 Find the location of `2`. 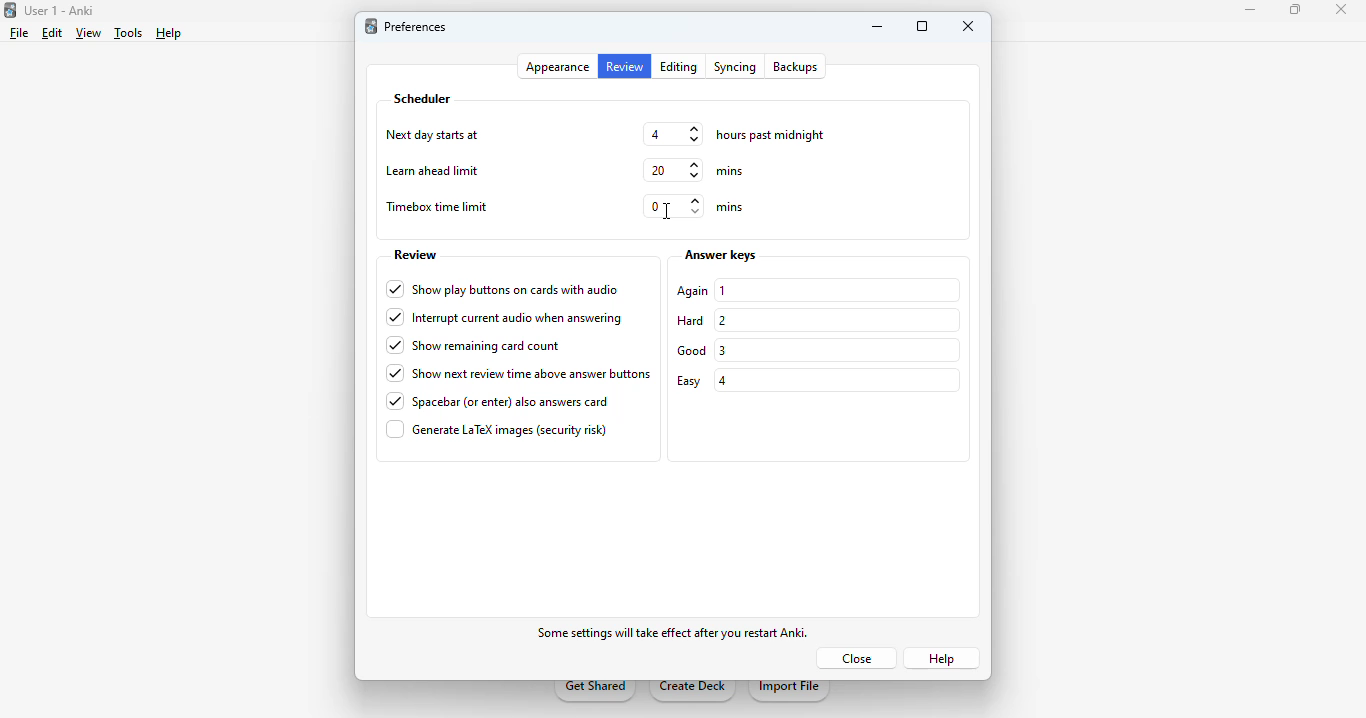

2 is located at coordinates (722, 320).